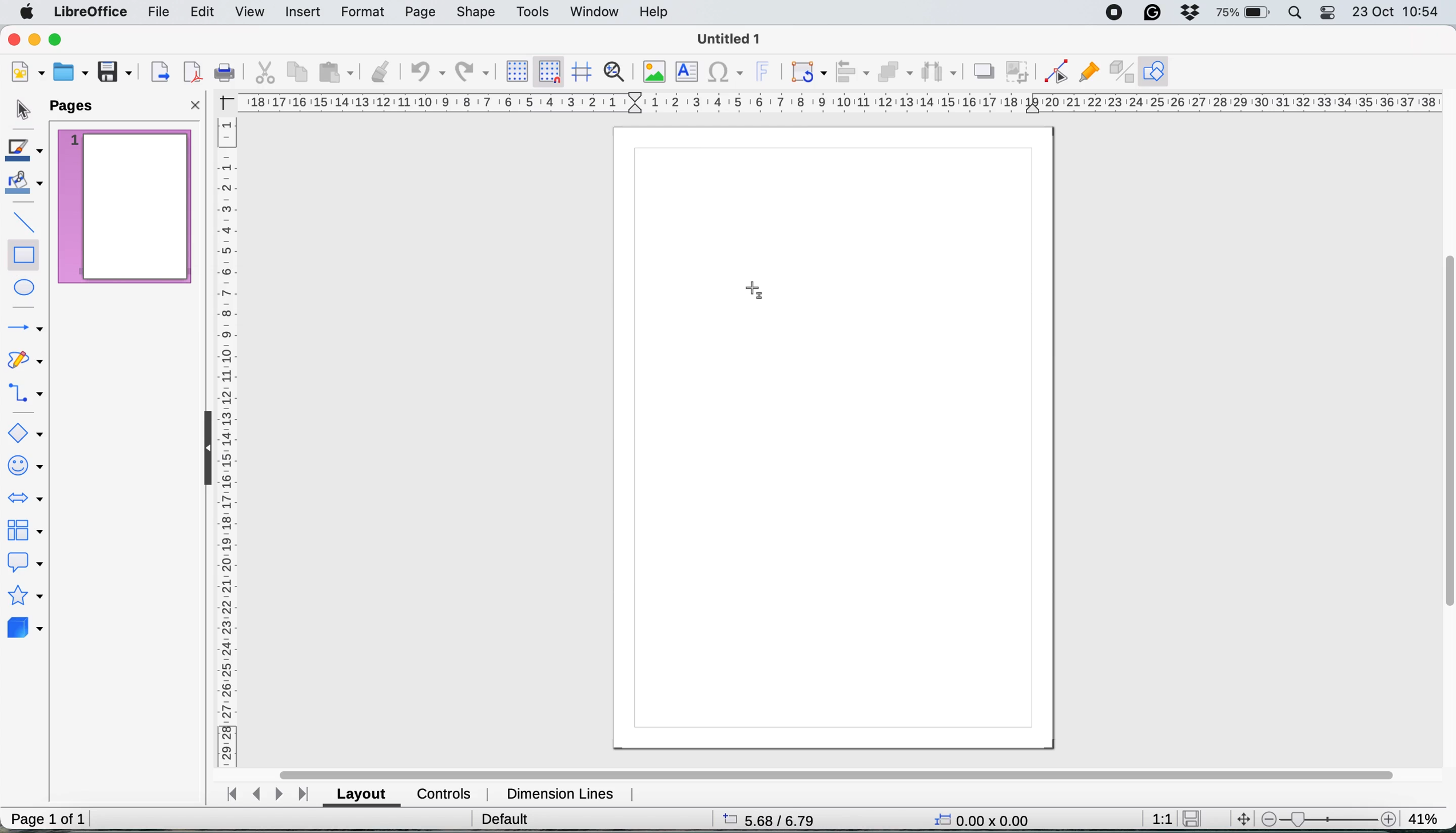 Image resolution: width=1456 pixels, height=833 pixels. What do you see at coordinates (222, 74) in the screenshot?
I see `print` at bounding box center [222, 74].